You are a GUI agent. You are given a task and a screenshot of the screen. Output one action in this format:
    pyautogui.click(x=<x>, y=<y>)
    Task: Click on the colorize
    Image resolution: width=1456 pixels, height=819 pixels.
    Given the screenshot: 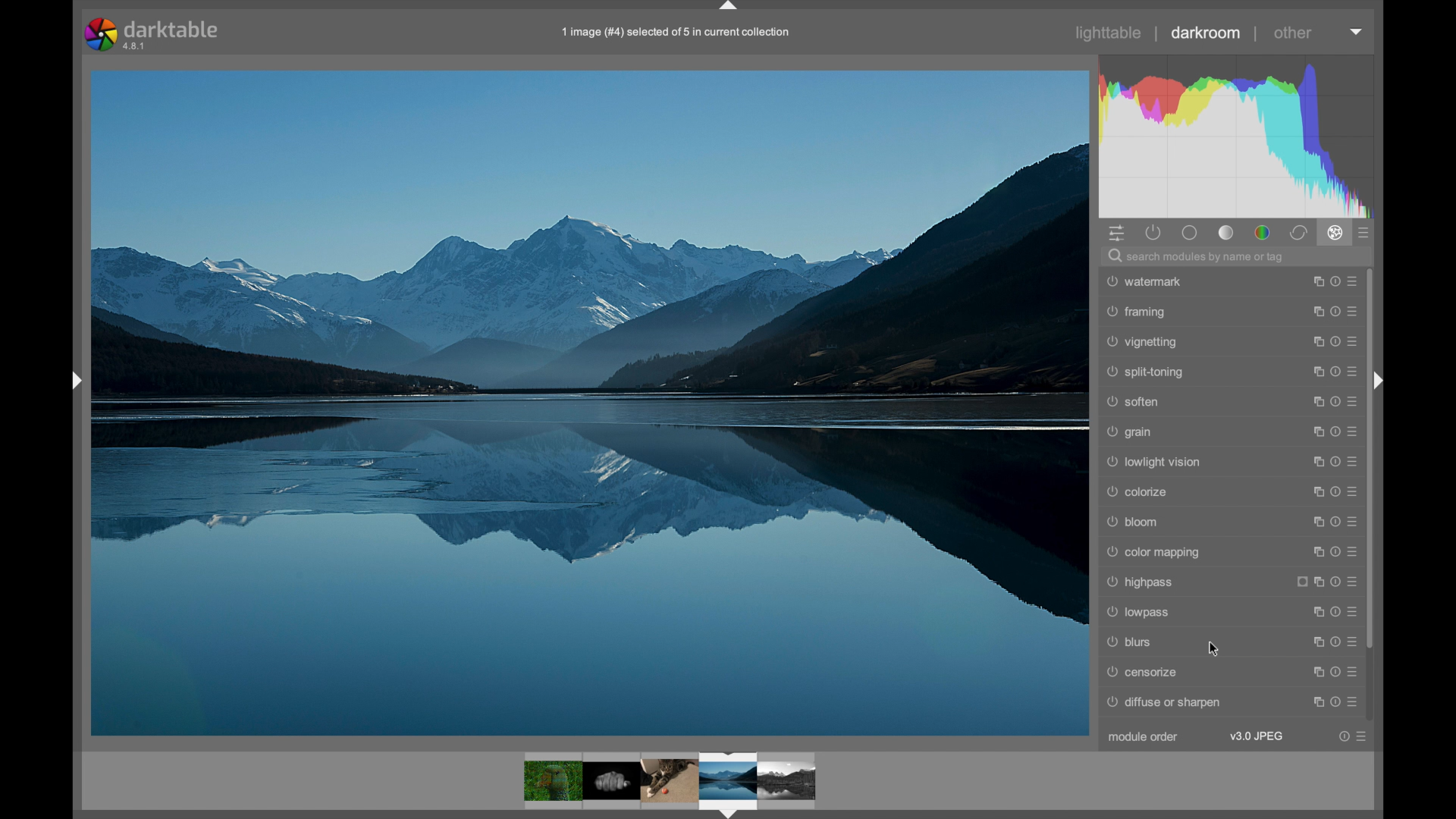 What is the action you would take?
    pyautogui.click(x=1137, y=491)
    